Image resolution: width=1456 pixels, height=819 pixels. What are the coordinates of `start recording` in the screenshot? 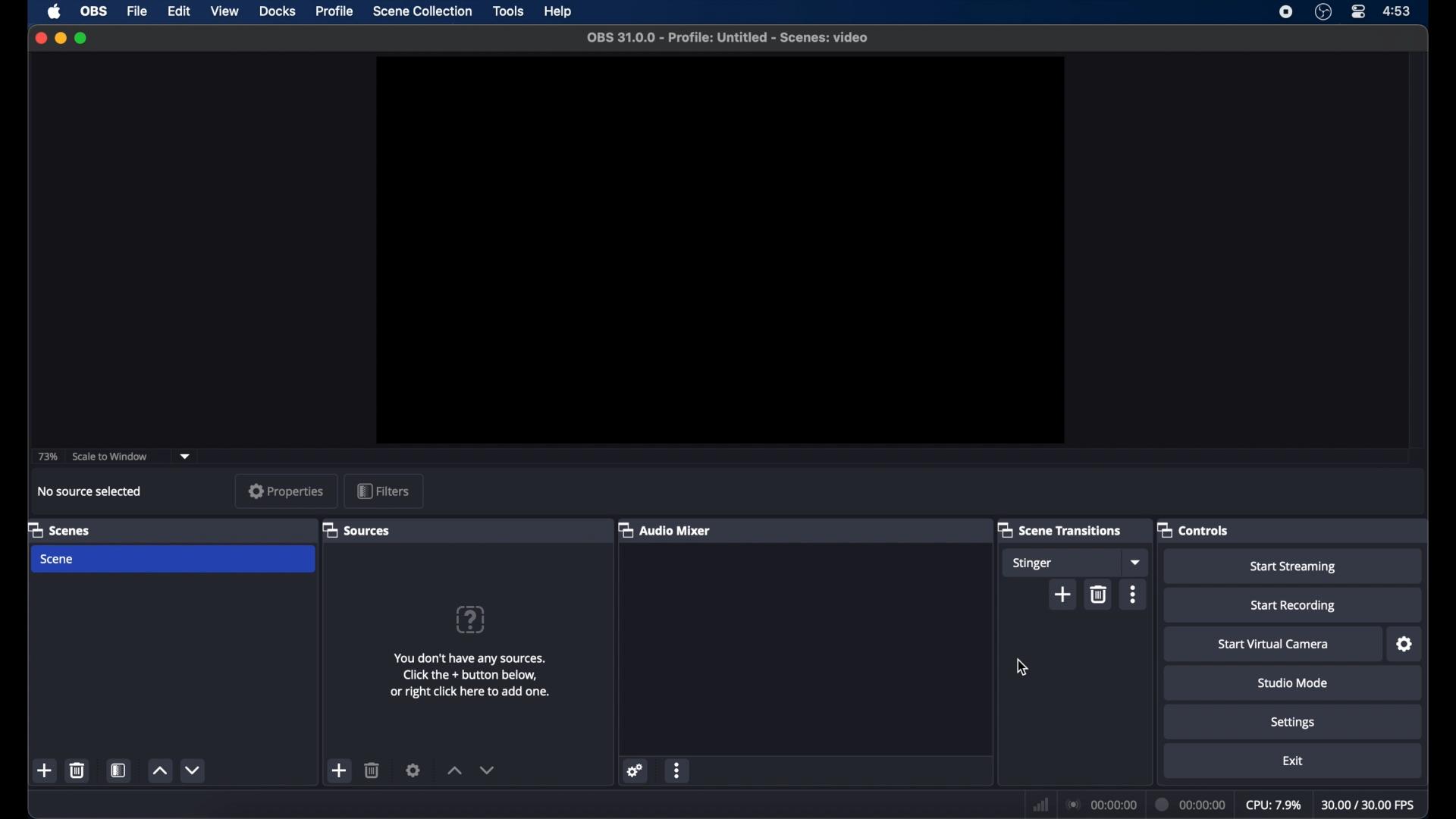 It's located at (1295, 606).